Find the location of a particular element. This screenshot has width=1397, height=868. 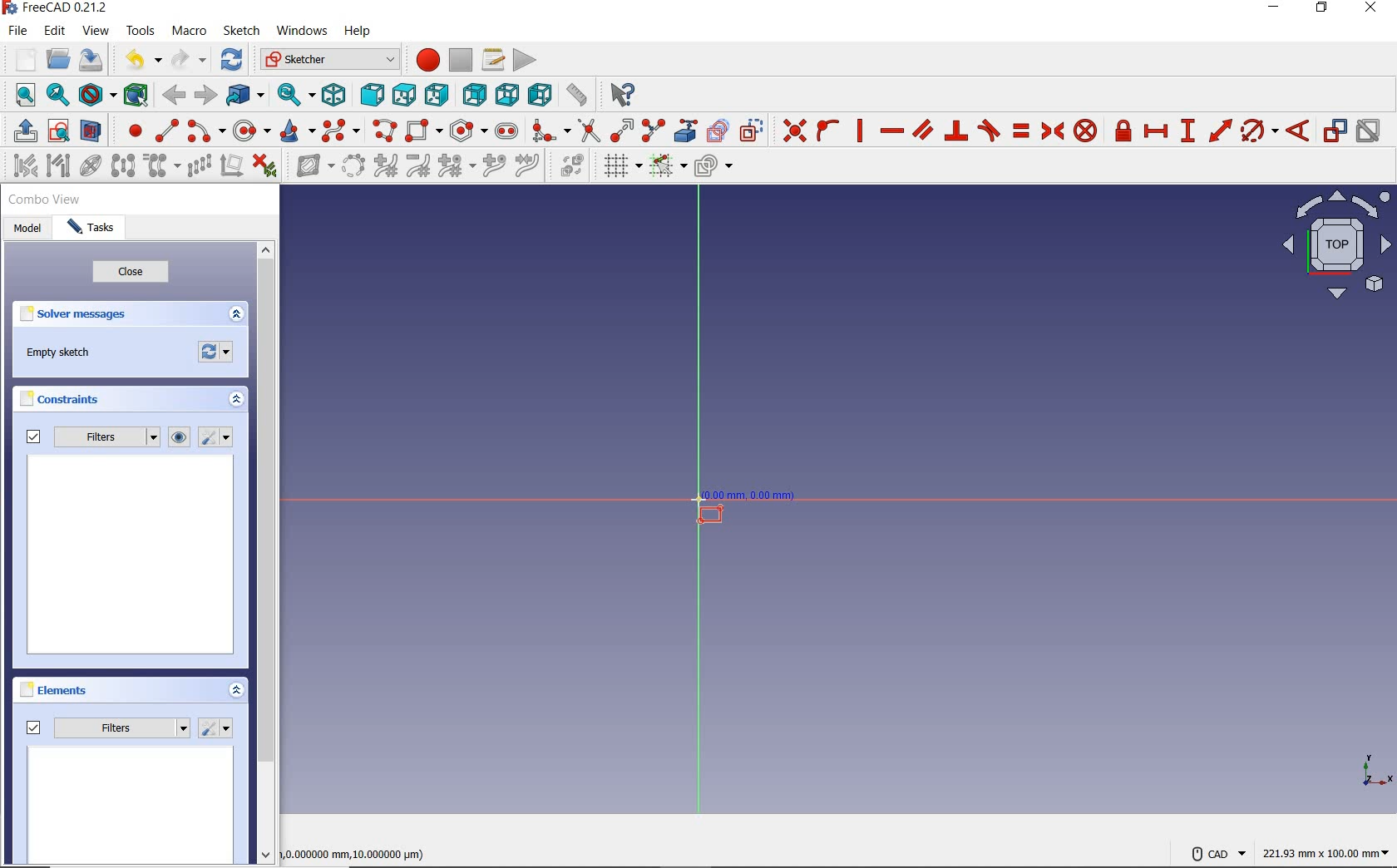

left is located at coordinates (538, 96).